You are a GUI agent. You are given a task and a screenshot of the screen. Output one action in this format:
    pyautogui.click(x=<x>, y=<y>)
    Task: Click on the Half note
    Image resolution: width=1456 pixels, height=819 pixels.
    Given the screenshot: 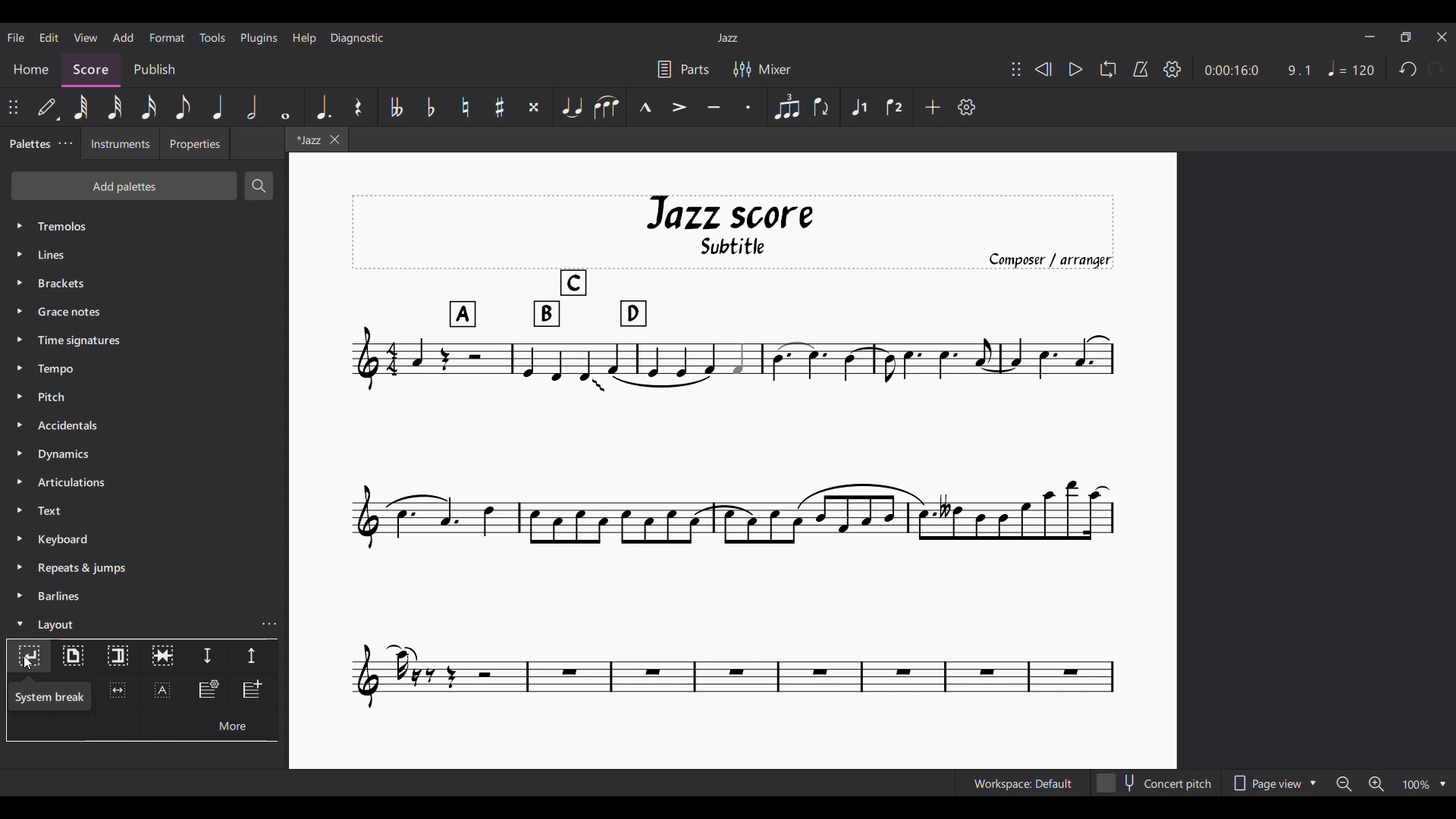 What is the action you would take?
    pyautogui.click(x=252, y=107)
    